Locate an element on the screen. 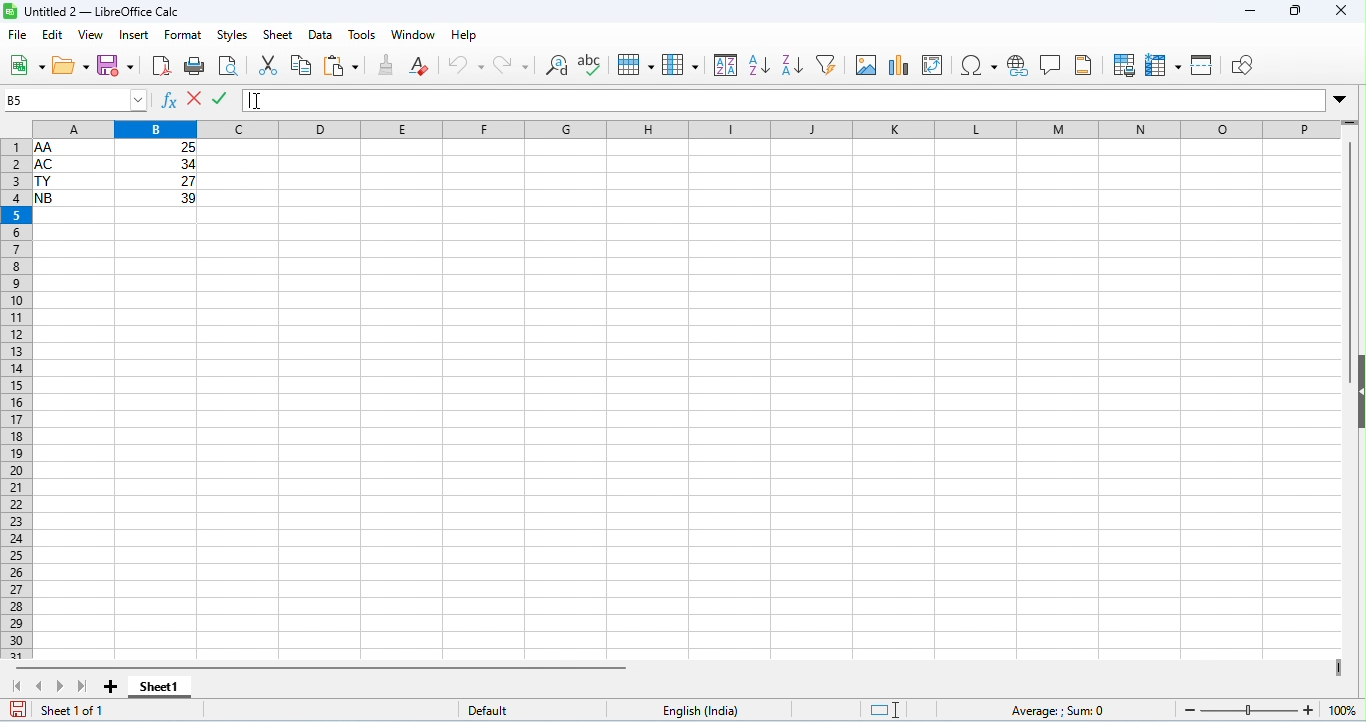 The image size is (1366, 722). print is located at coordinates (194, 68).